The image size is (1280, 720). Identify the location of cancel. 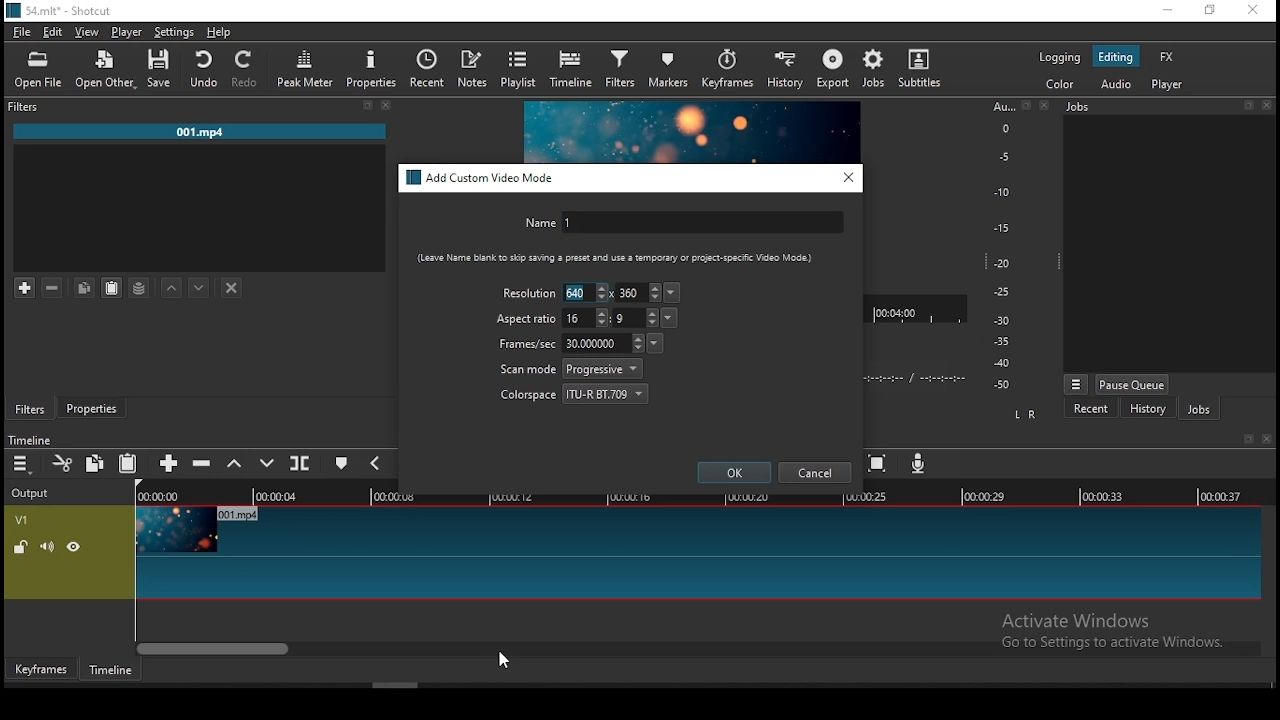
(815, 473).